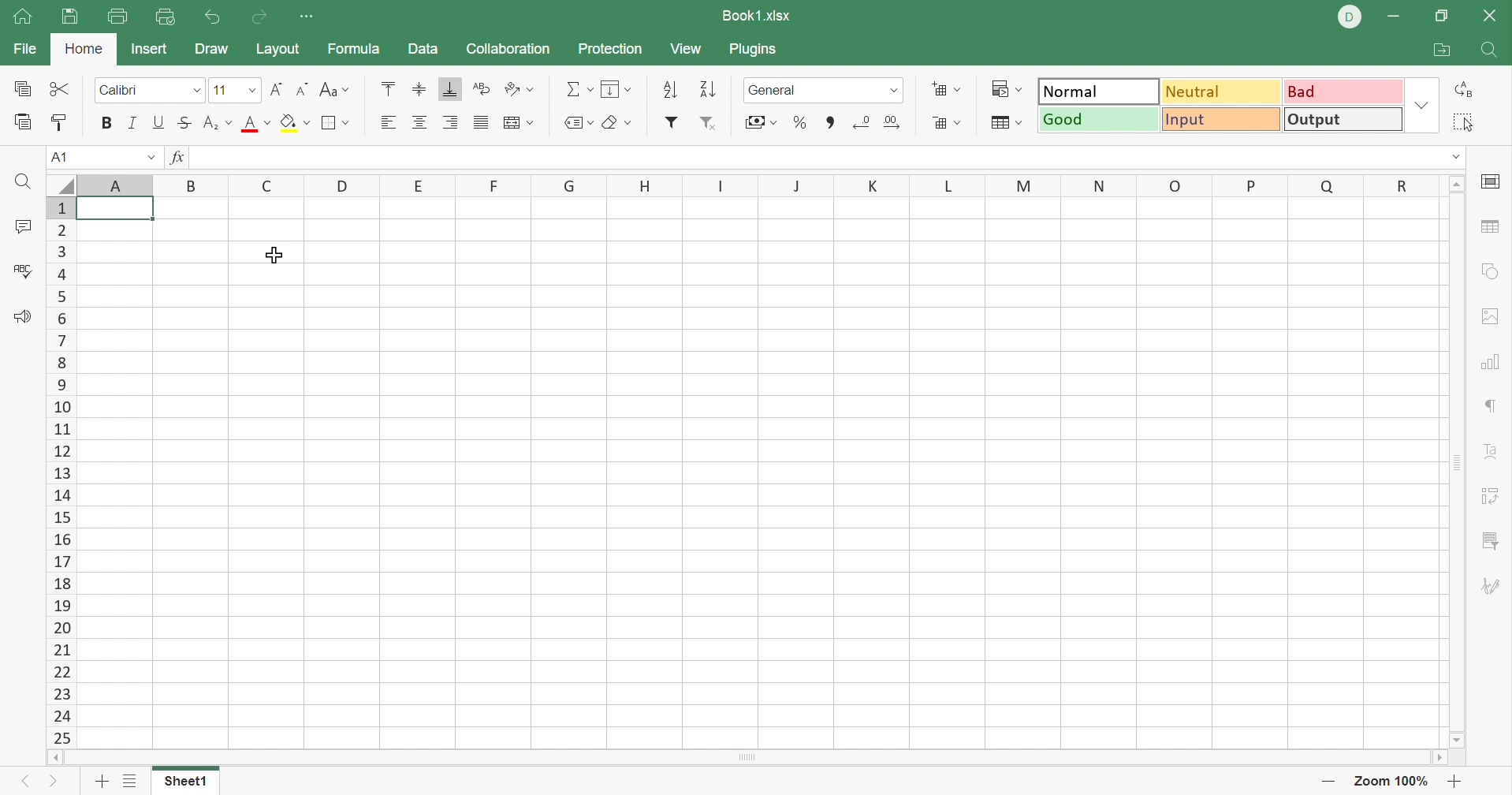 This screenshot has height=795, width=1512. Describe the element at coordinates (511, 49) in the screenshot. I see `Collaboration` at that location.